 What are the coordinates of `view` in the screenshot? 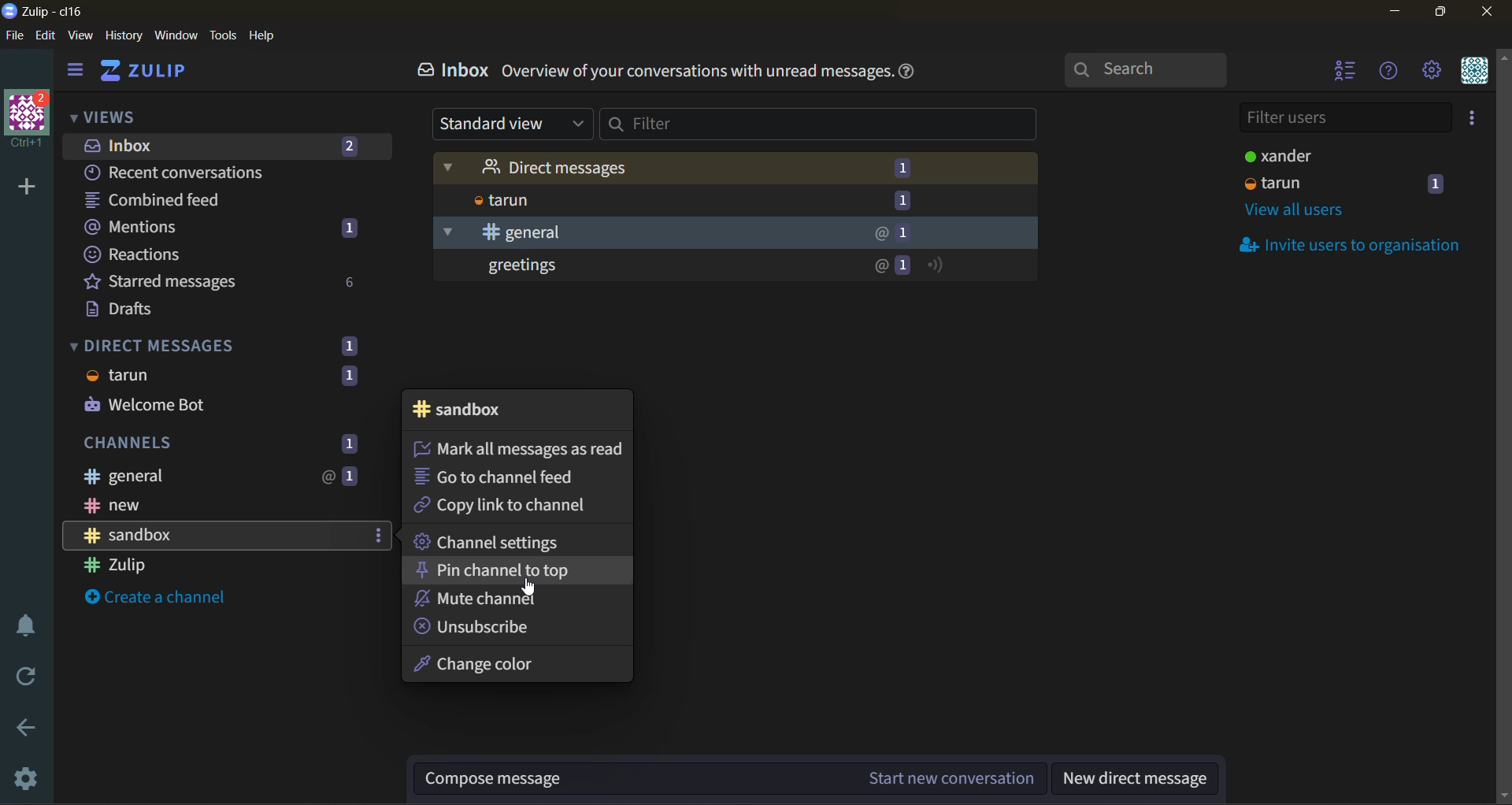 It's located at (83, 37).